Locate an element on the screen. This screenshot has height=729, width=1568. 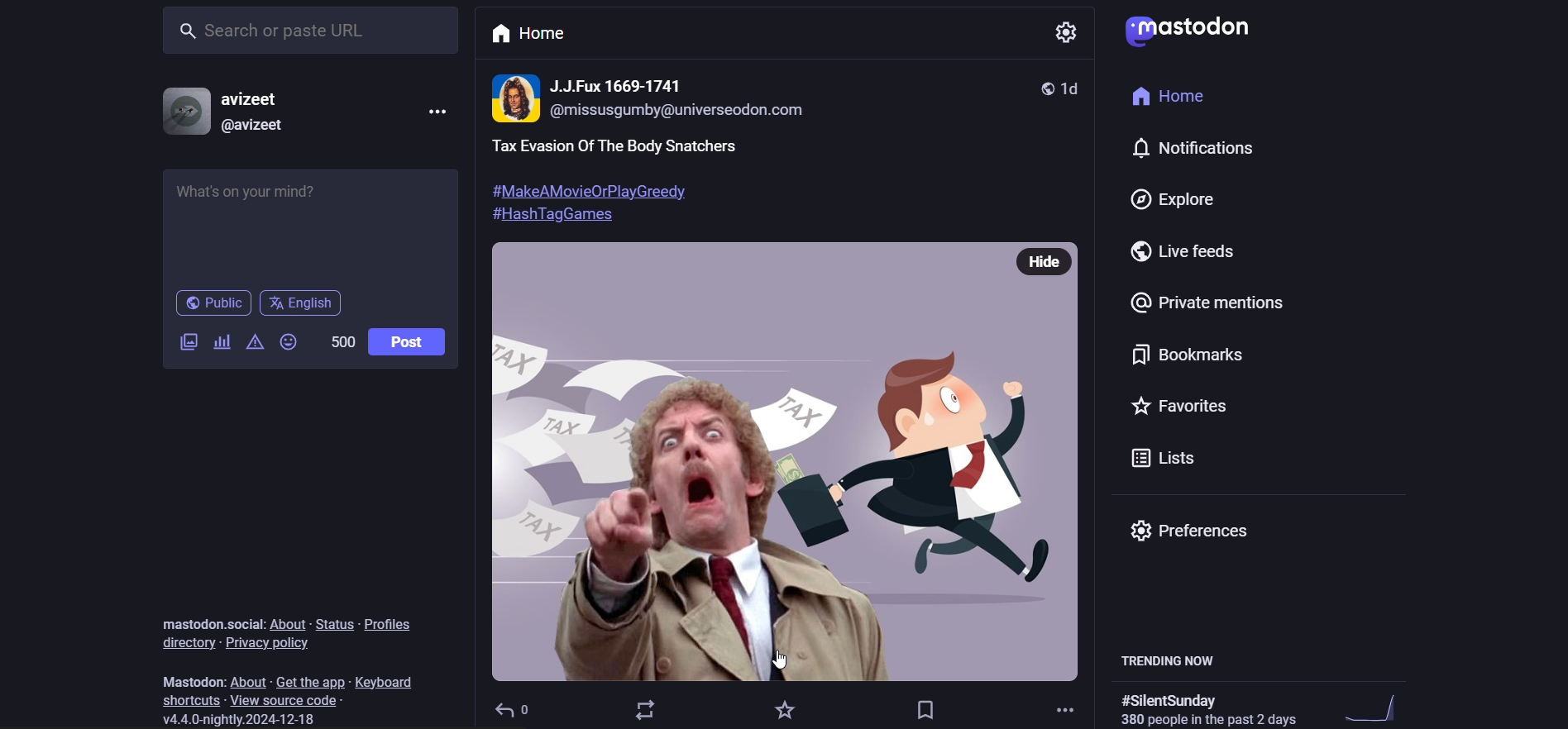
avizeet is located at coordinates (253, 102).